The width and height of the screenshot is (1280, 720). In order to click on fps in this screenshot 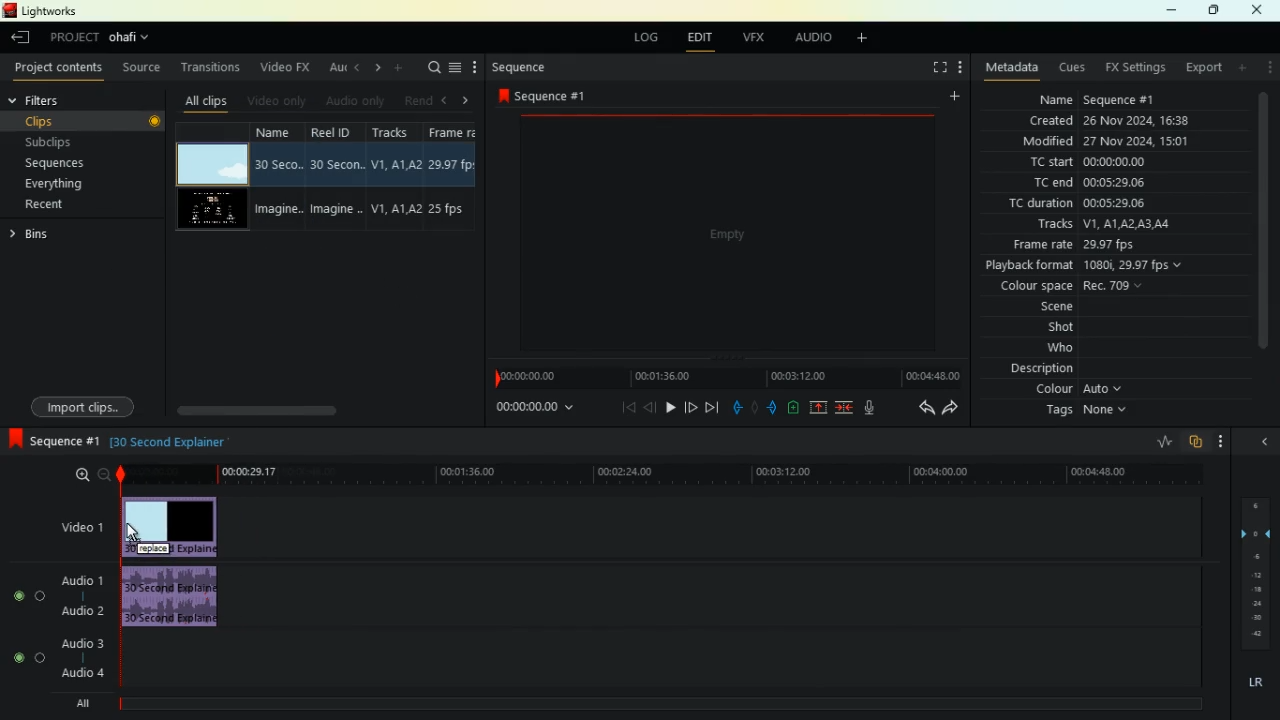, I will do `click(458, 176)`.